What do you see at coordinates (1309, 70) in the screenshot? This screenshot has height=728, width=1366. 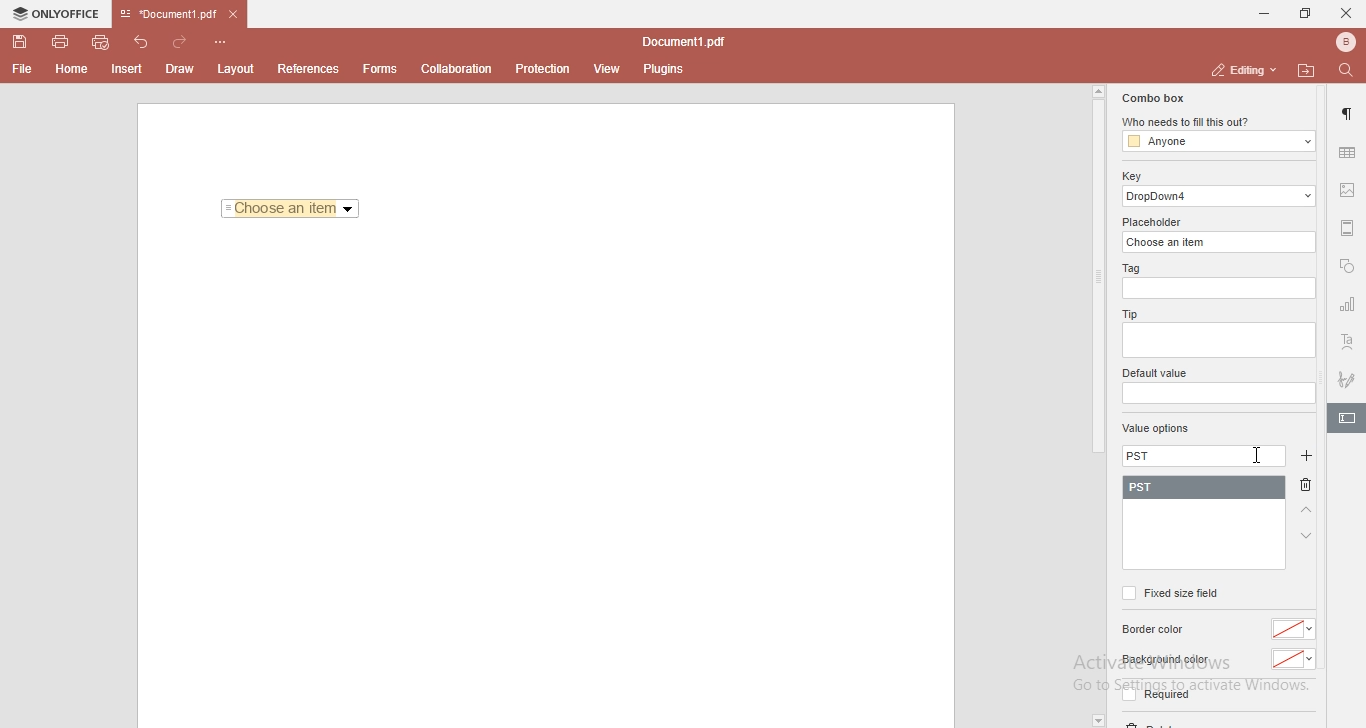 I see `open file location` at bounding box center [1309, 70].